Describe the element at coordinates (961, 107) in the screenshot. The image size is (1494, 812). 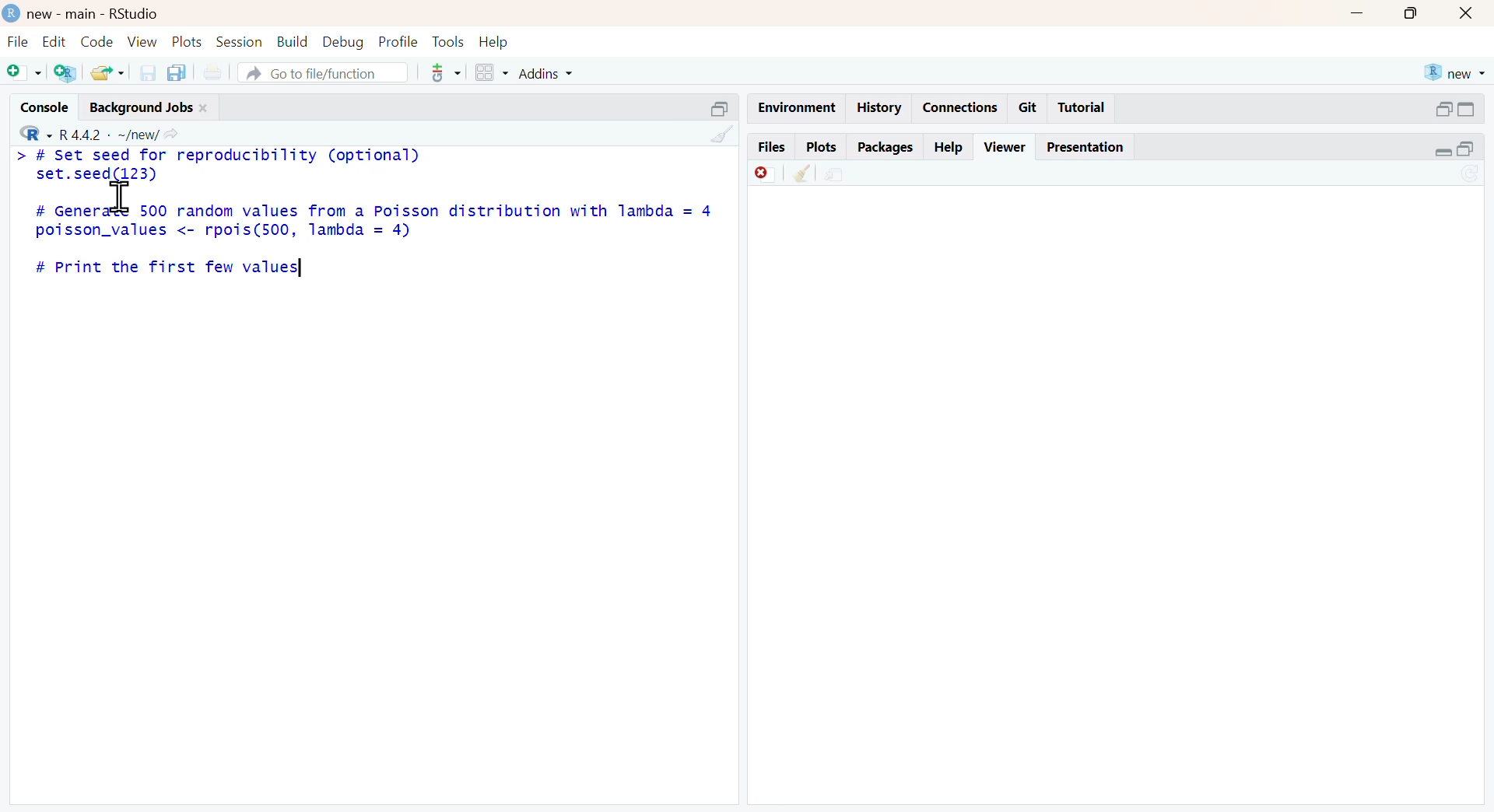
I see `connections` at that location.